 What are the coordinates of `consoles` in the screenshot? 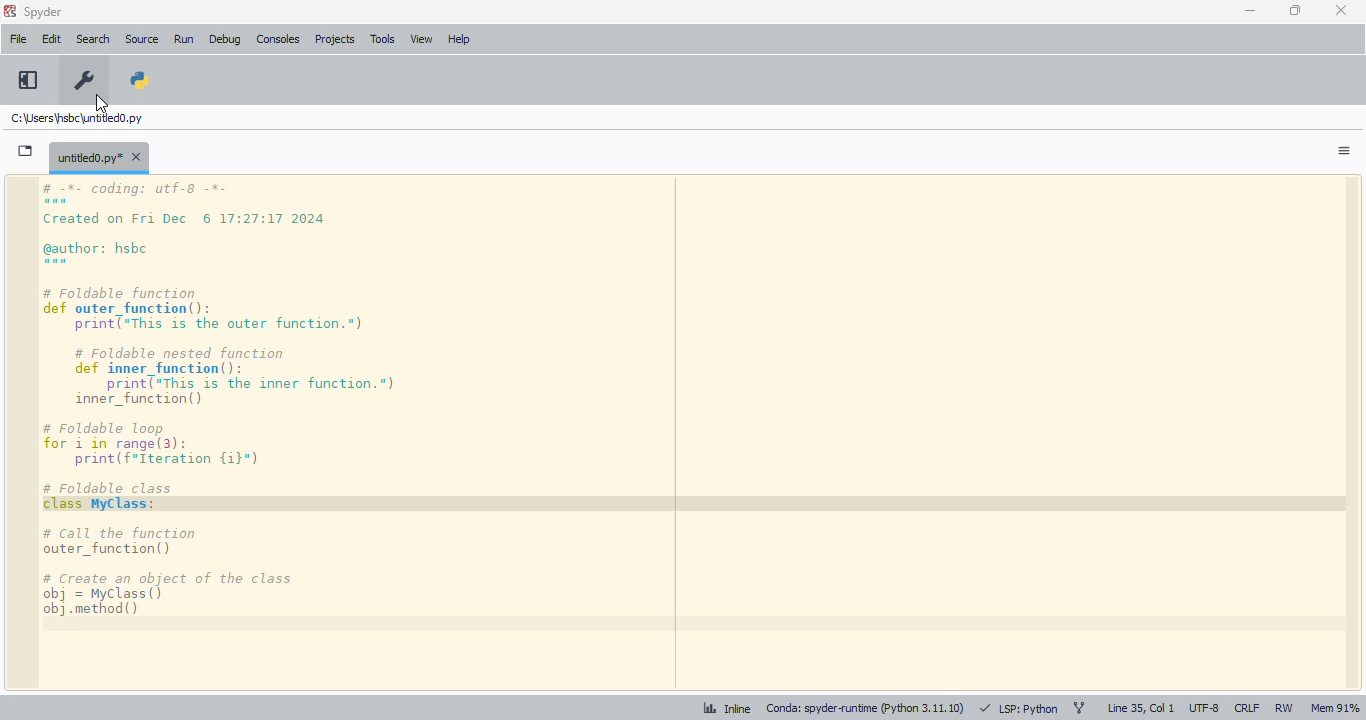 It's located at (277, 39).